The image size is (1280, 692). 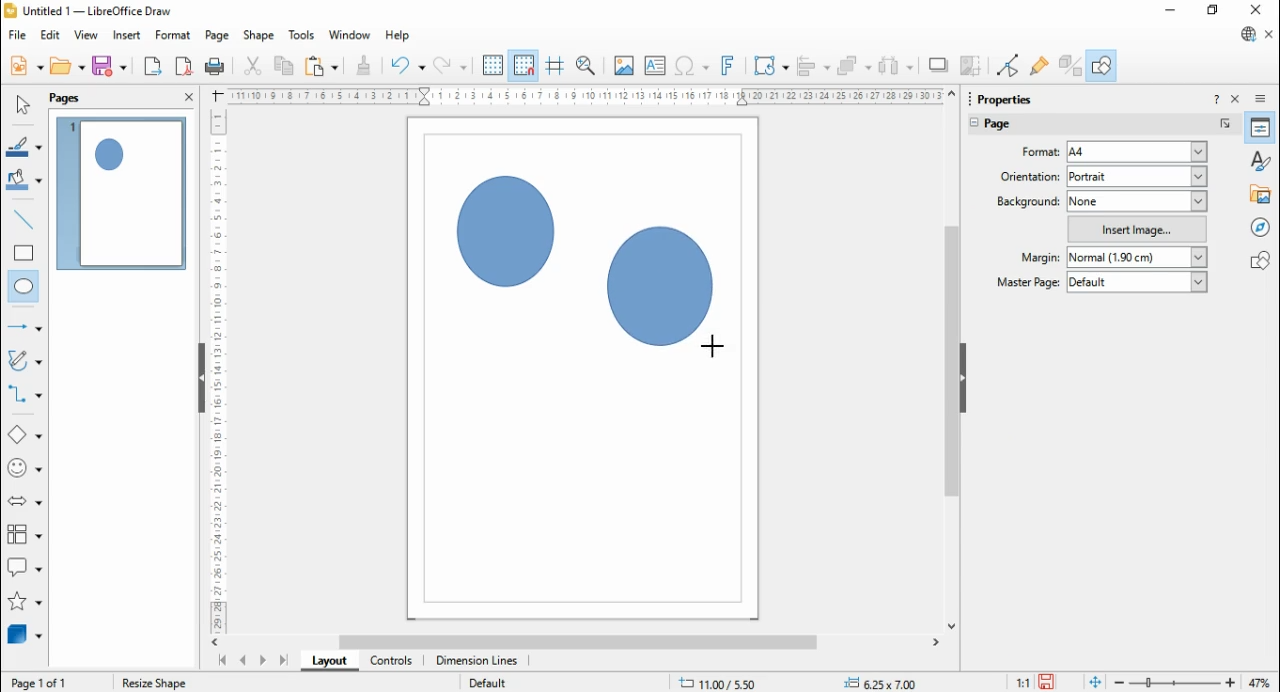 What do you see at coordinates (1172, 10) in the screenshot?
I see `minimize` at bounding box center [1172, 10].